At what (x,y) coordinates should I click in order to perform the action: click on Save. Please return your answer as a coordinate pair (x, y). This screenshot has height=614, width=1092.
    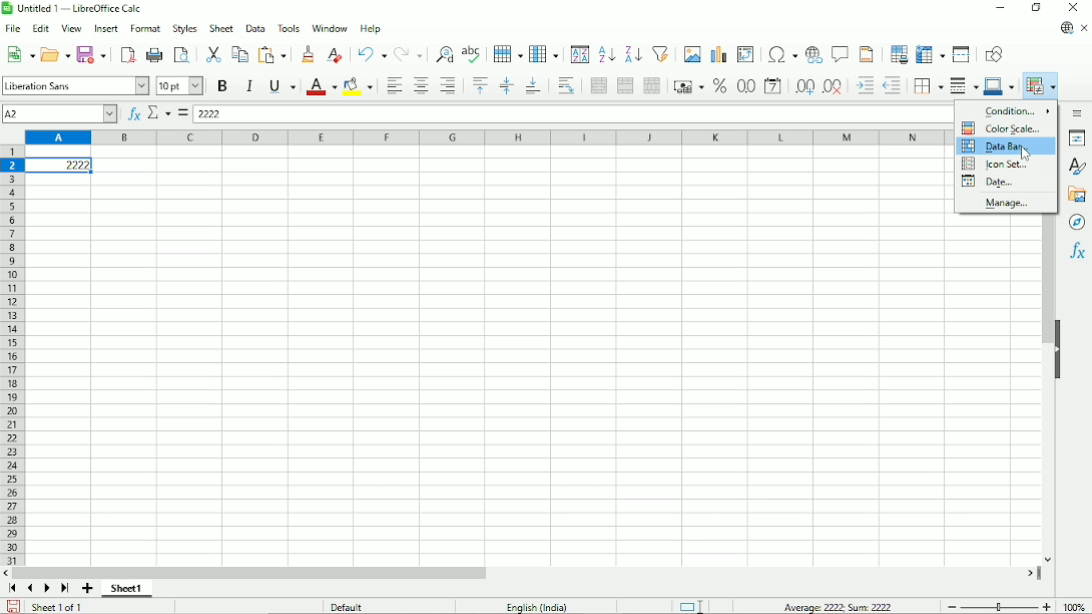
    Looking at the image, I should click on (14, 605).